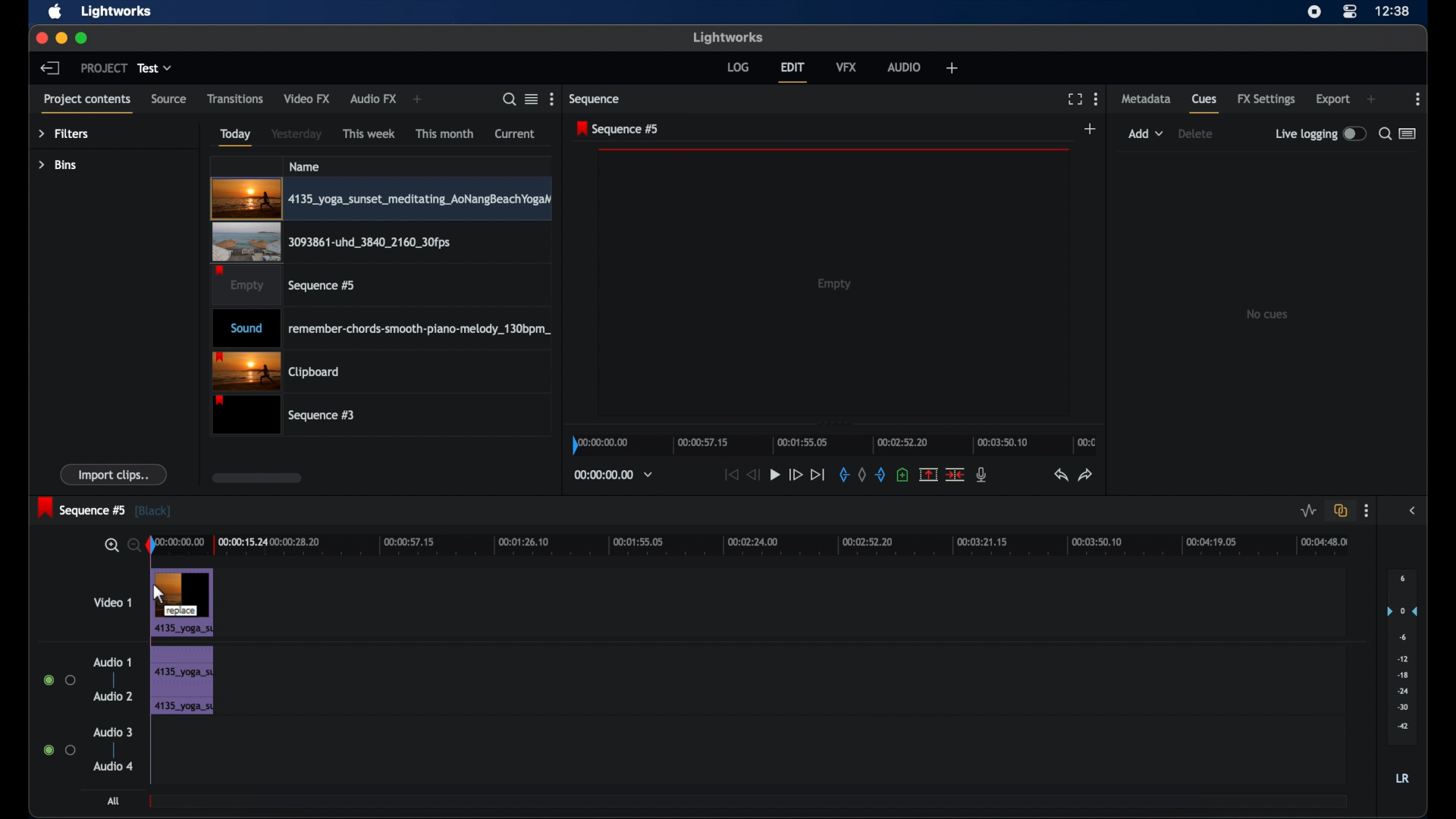 The image size is (1456, 819). I want to click on back, so click(52, 68).